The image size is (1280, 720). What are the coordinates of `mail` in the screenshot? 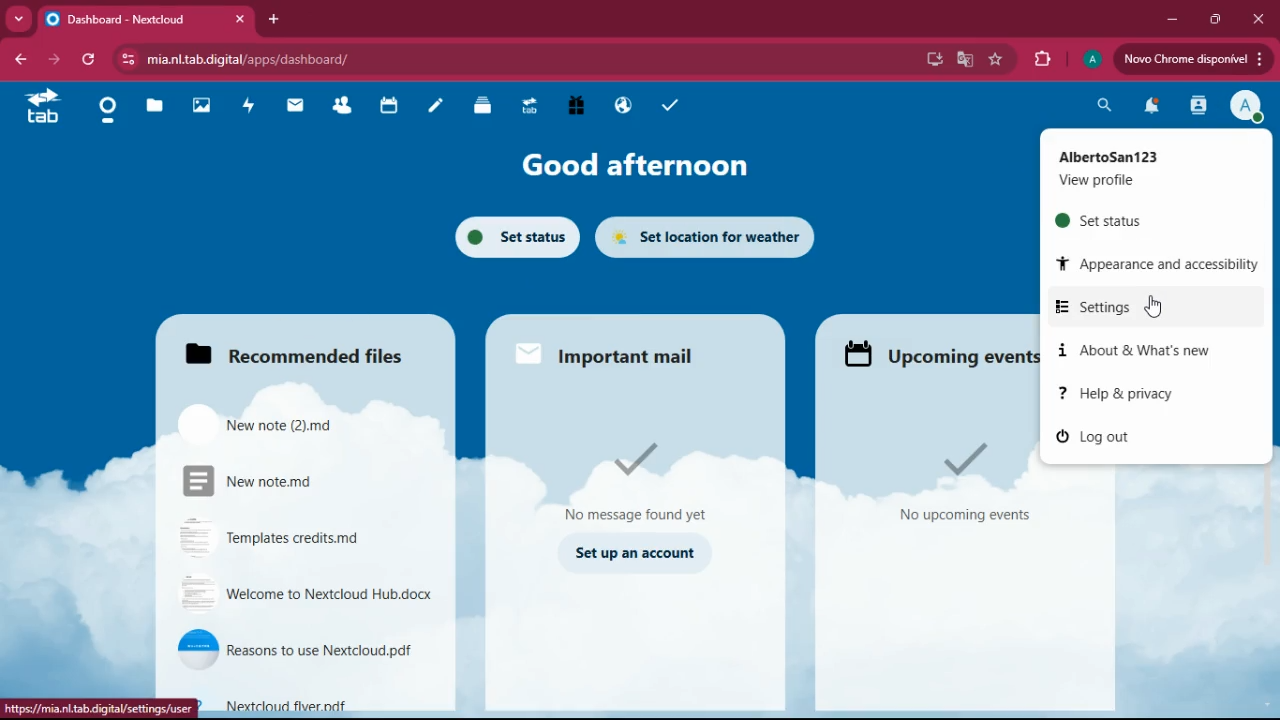 It's located at (598, 352).